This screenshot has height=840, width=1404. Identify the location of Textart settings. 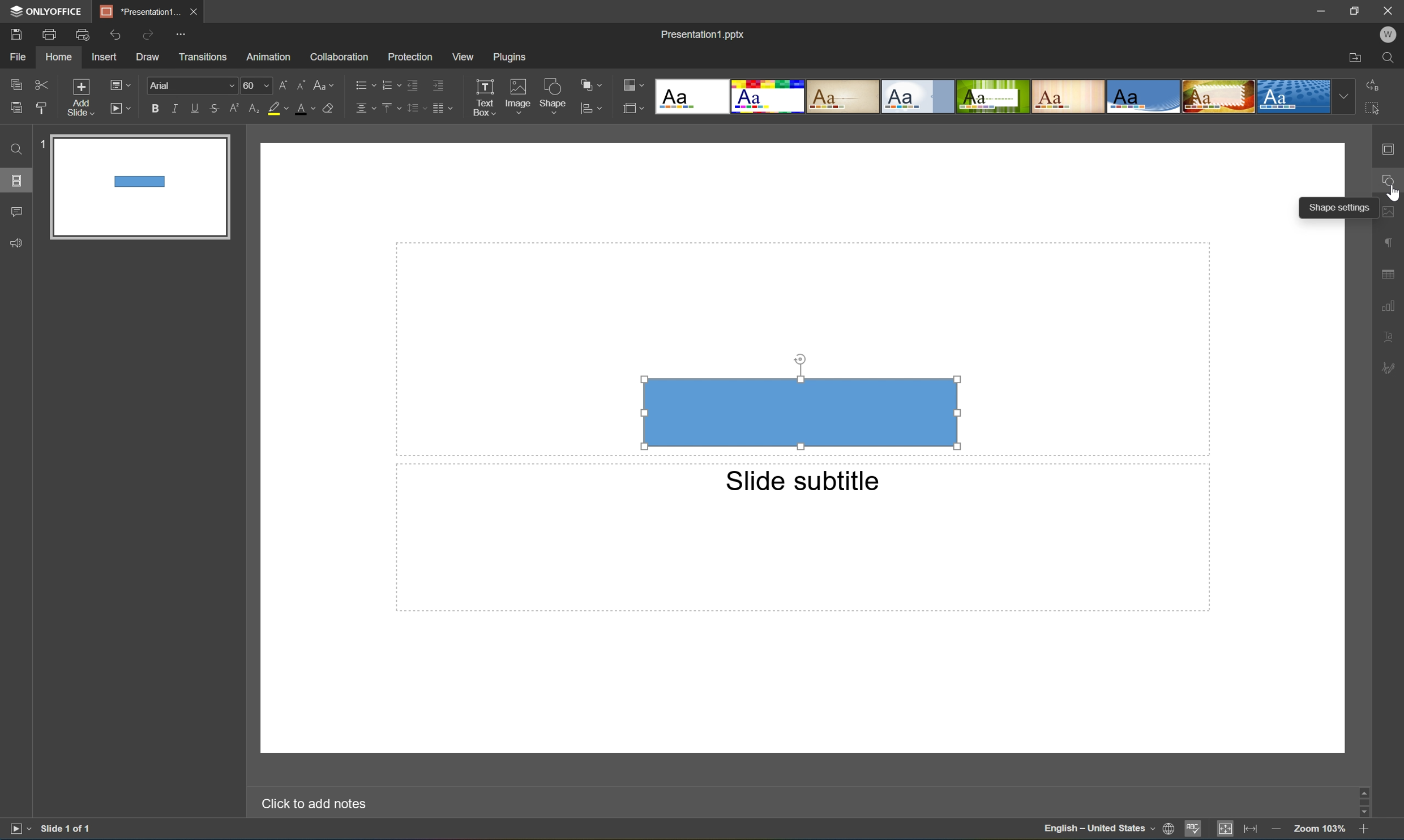
(1389, 338).